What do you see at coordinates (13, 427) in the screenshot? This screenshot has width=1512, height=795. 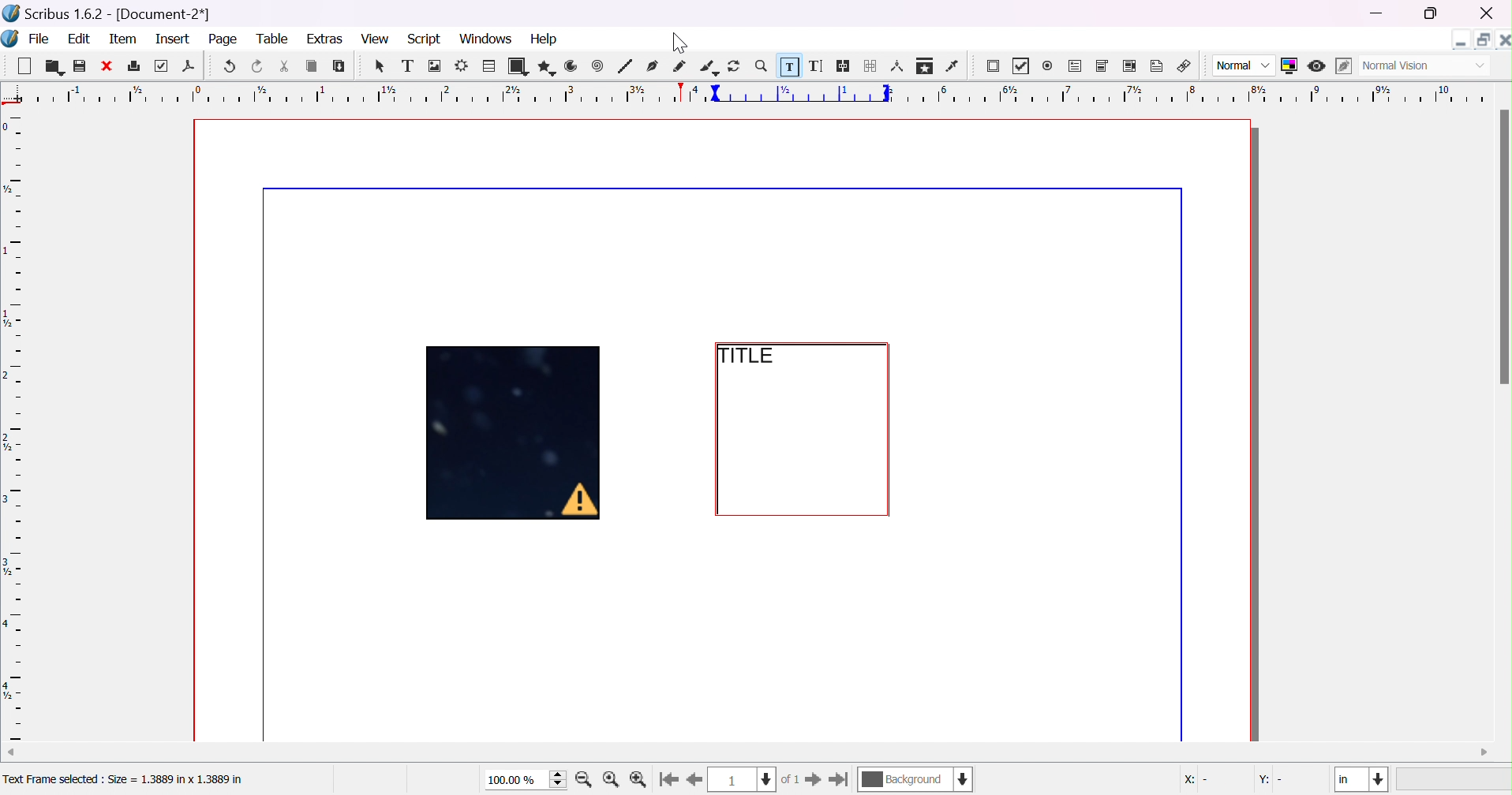 I see `ruler` at bounding box center [13, 427].